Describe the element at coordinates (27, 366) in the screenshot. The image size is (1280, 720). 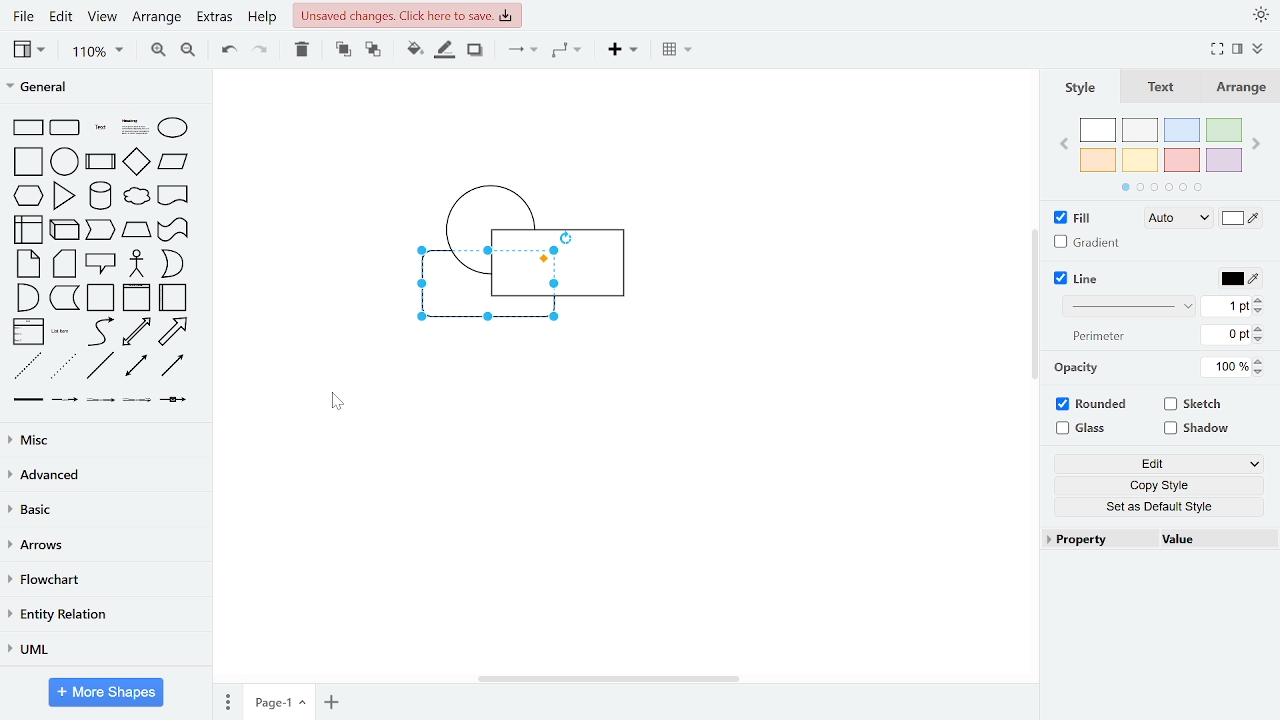
I see `dashed line` at that location.